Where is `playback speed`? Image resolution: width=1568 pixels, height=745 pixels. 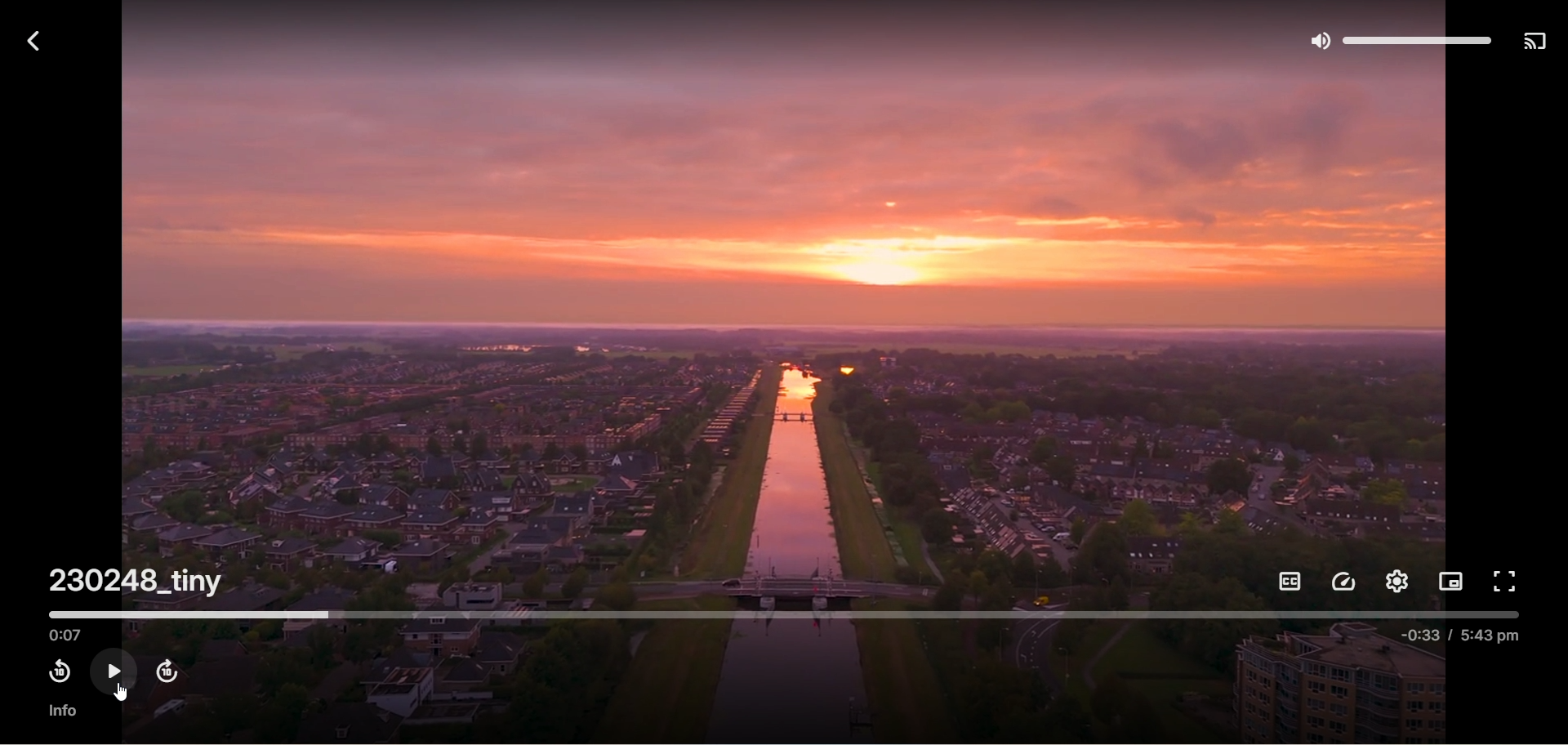
playback speed is located at coordinates (1344, 582).